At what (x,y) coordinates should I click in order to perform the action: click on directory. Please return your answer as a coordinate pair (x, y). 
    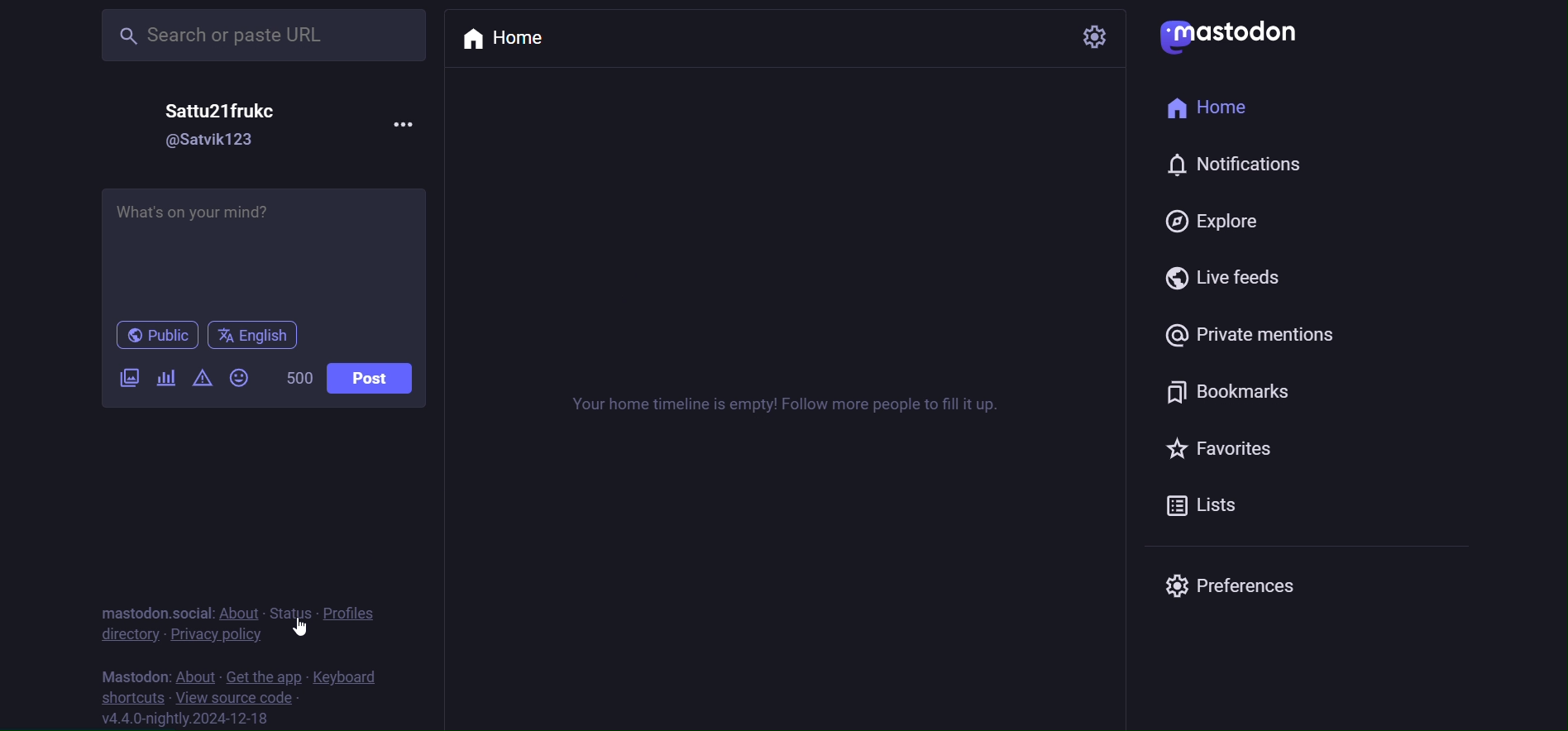
    Looking at the image, I should click on (127, 637).